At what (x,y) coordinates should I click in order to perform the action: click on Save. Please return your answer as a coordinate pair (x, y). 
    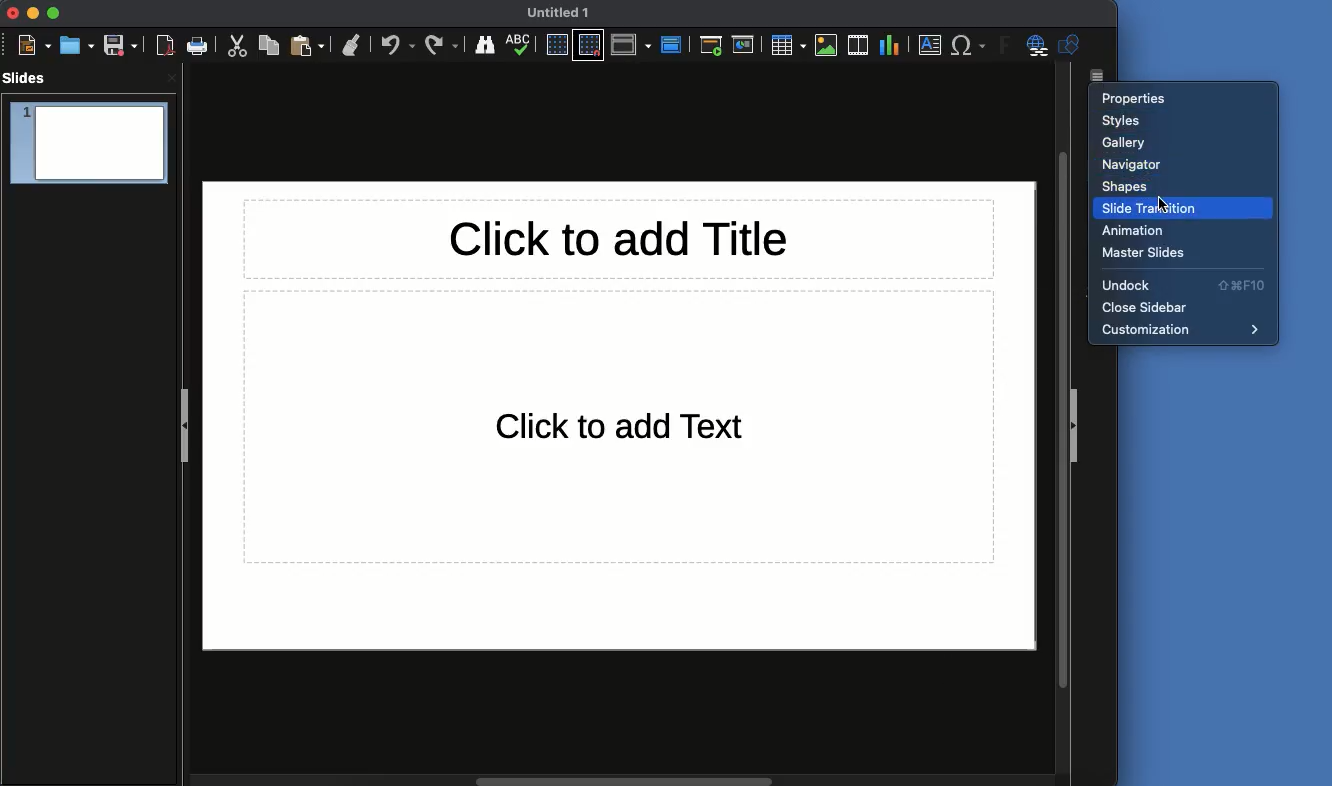
    Looking at the image, I should click on (121, 44).